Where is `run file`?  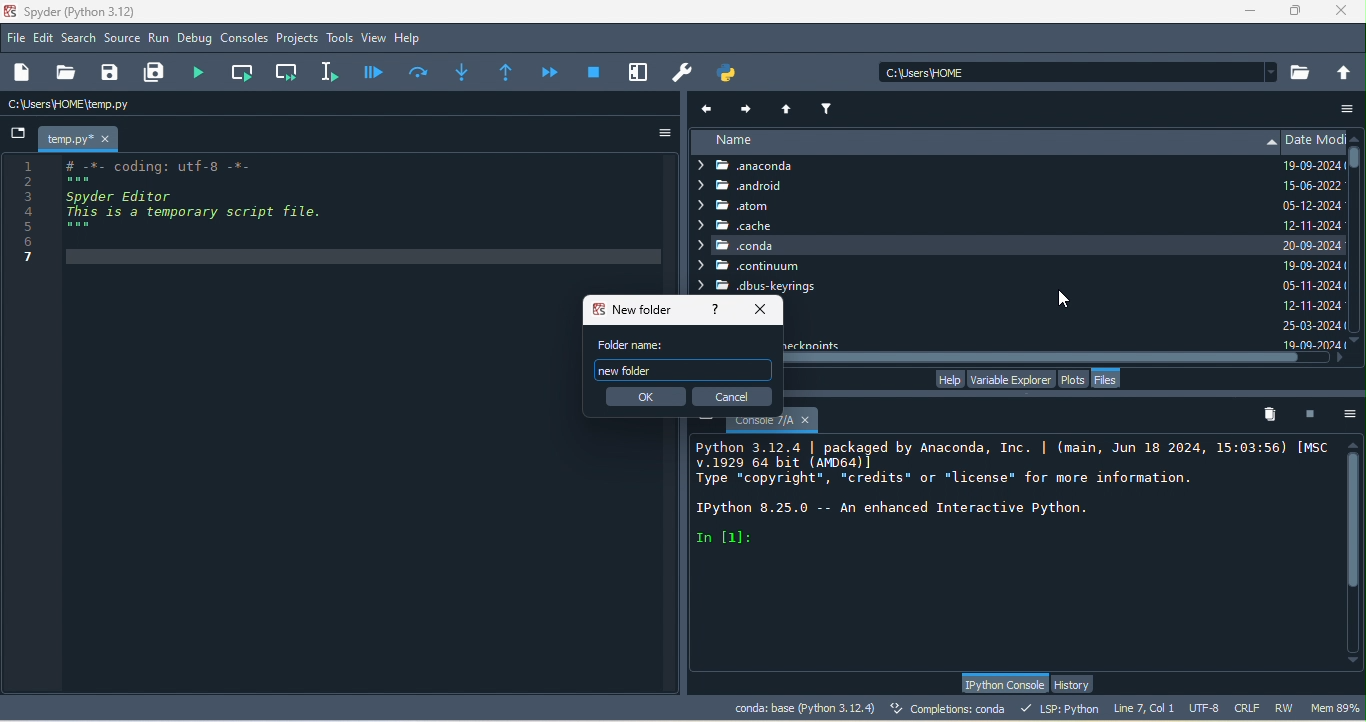
run file is located at coordinates (204, 72).